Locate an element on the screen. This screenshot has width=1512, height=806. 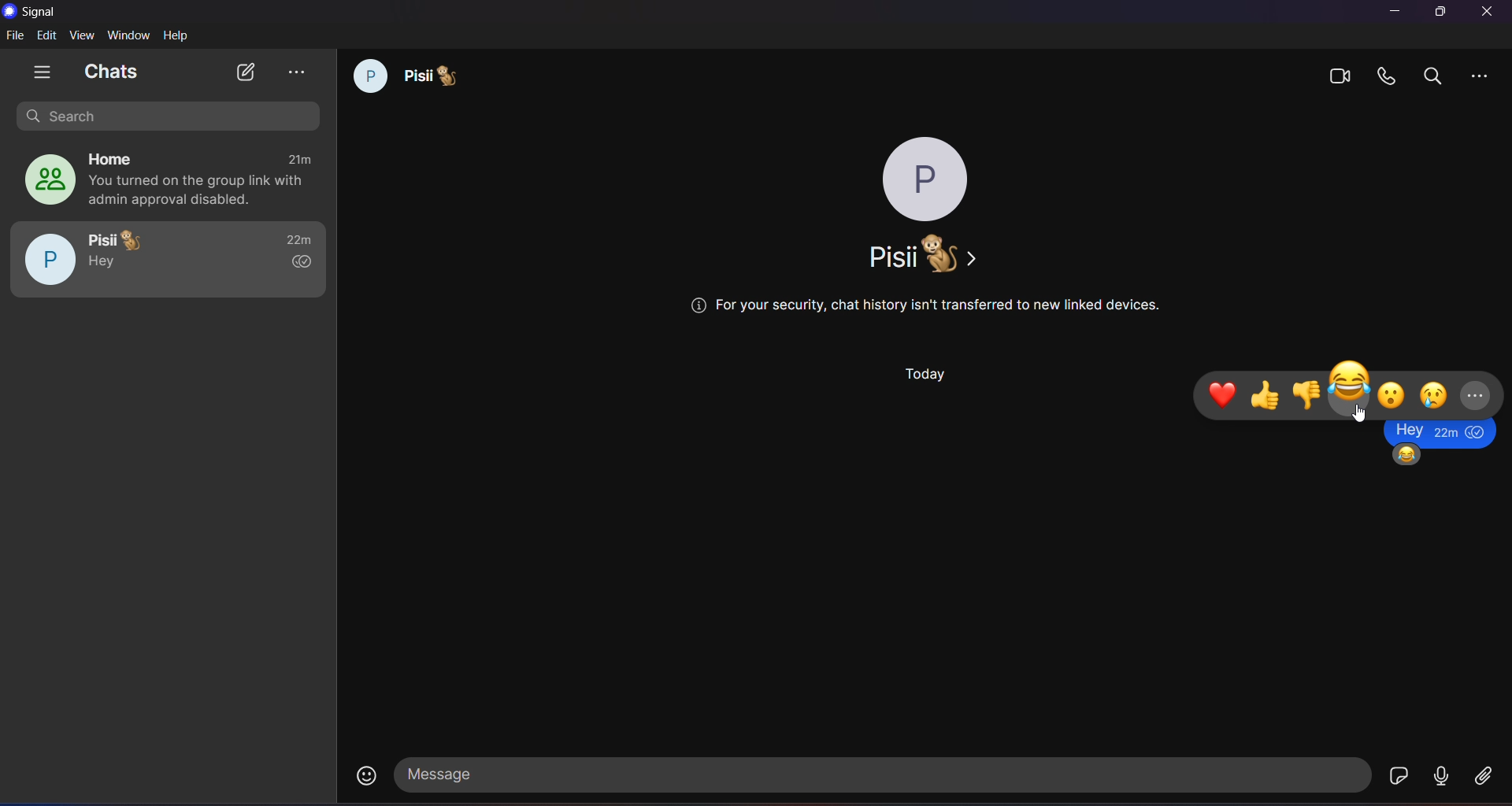
message is located at coordinates (884, 775).